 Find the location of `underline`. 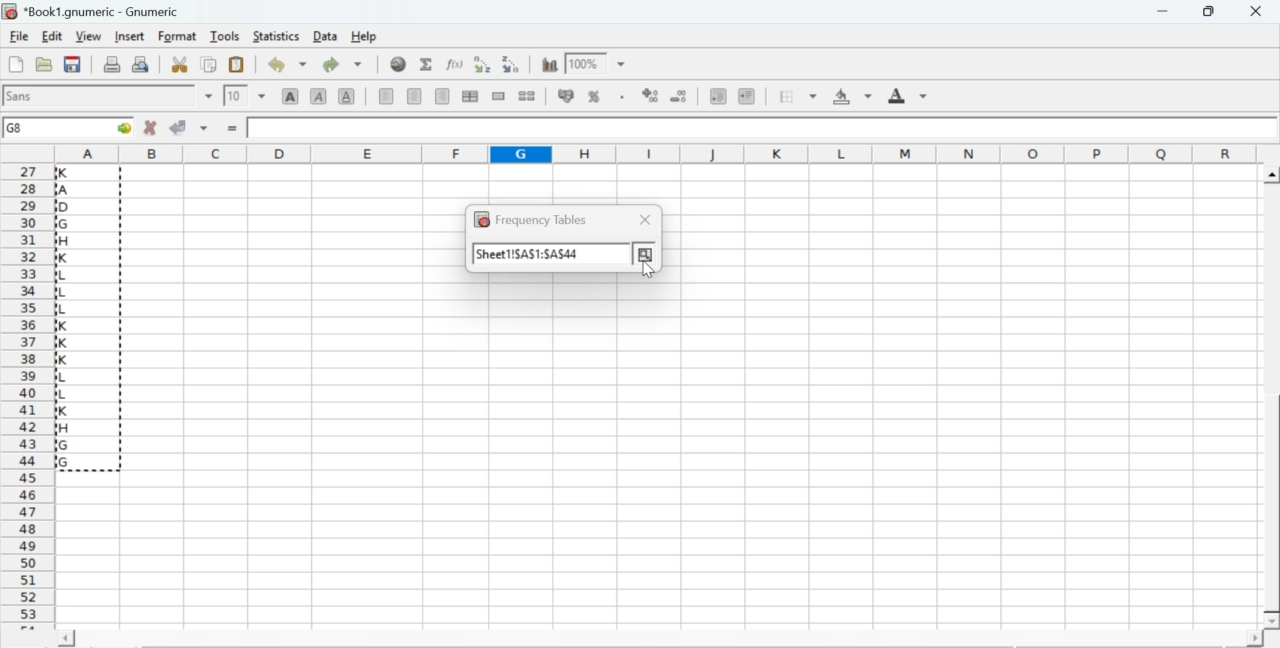

underline is located at coordinates (347, 95).